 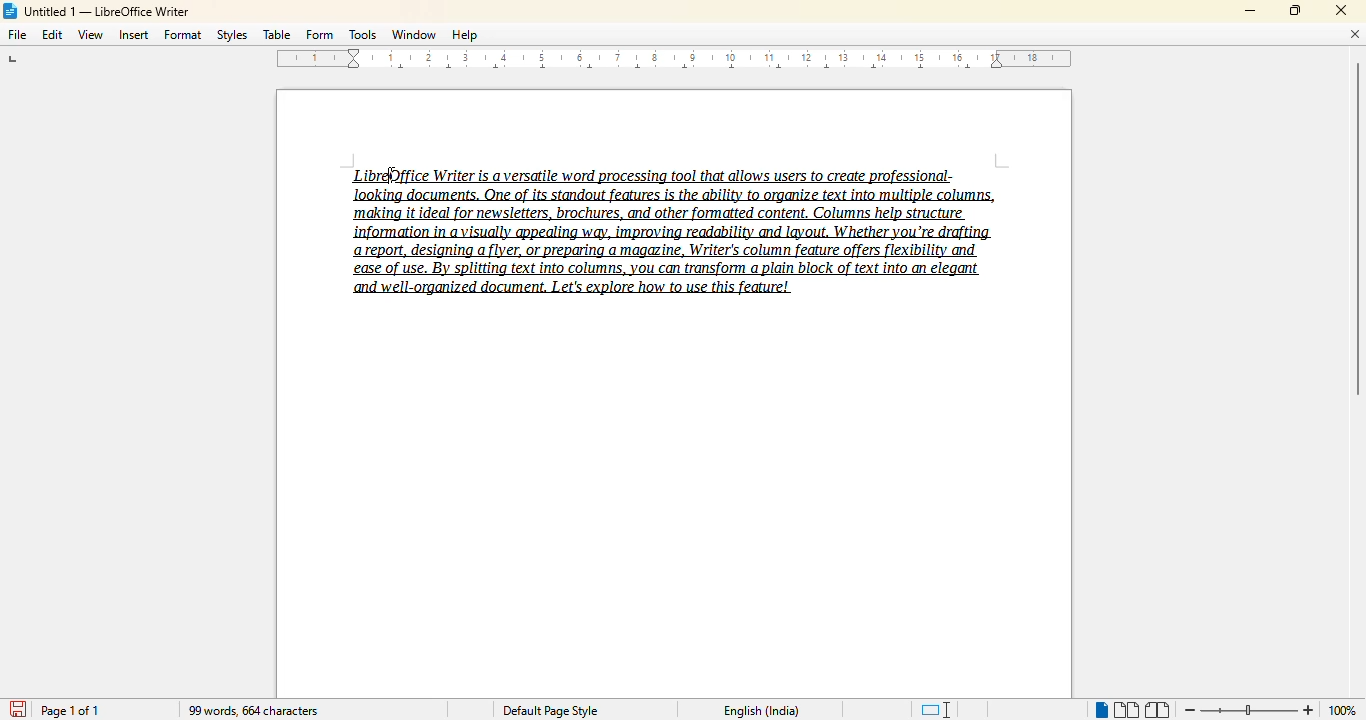 What do you see at coordinates (133, 35) in the screenshot?
I see `insert` at bounding box center [133, 35].